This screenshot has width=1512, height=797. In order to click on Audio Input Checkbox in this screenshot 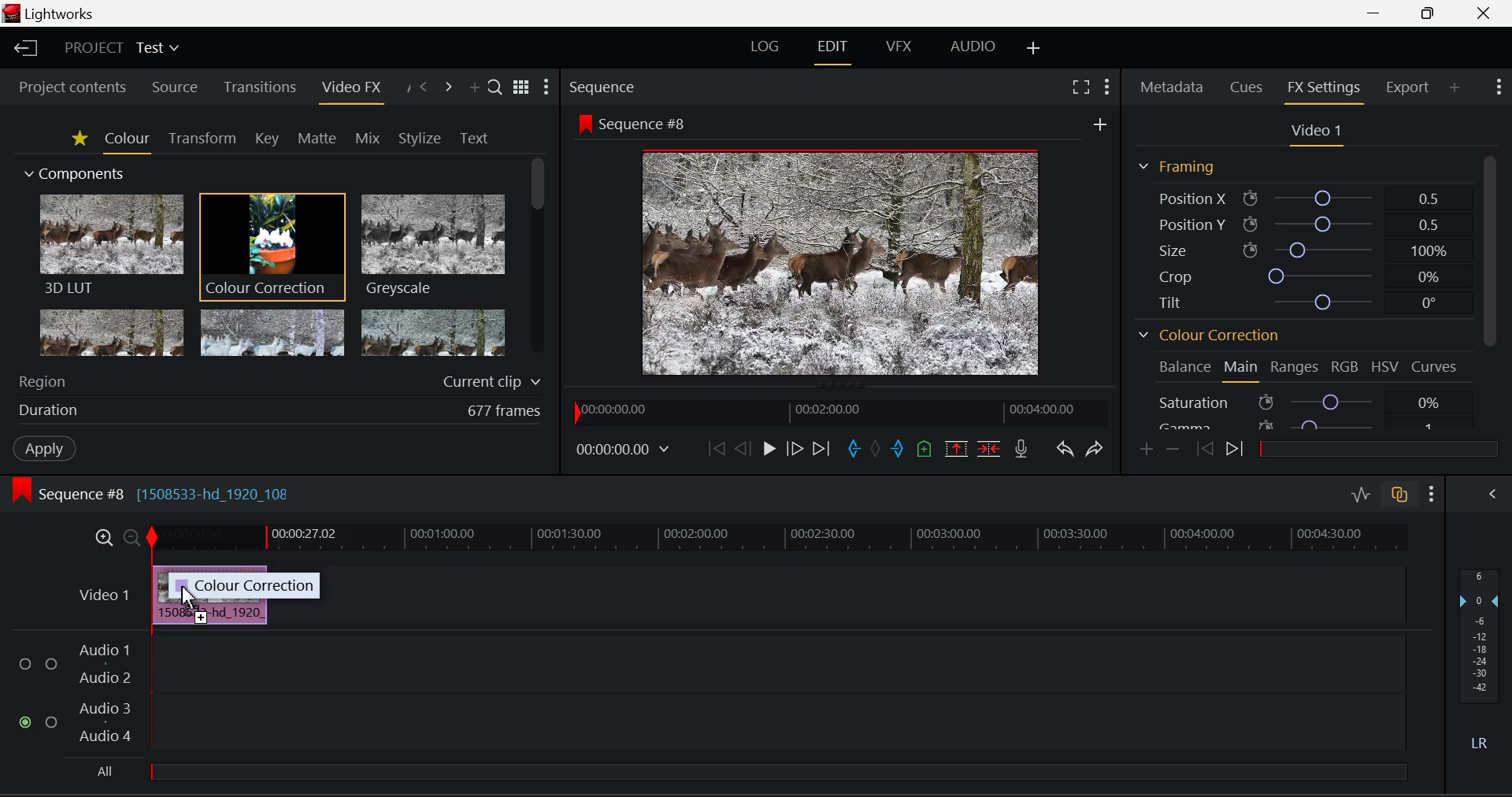, I will do `click(51, 721)`.